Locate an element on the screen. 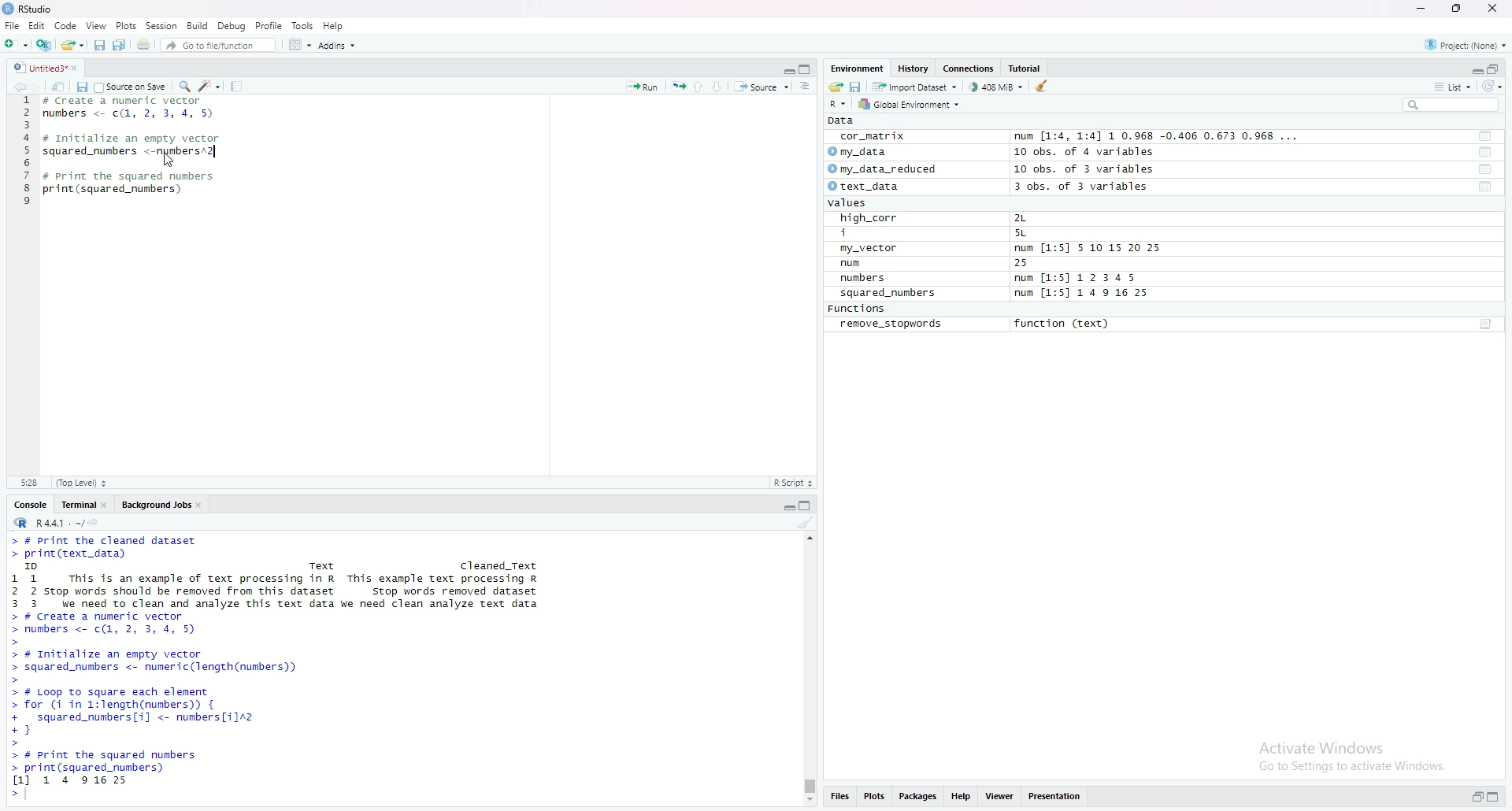 Image resolution: width=1512 pixels, height=811 pixels. # initlialize an empty vector is located at coordinates (139, 138).